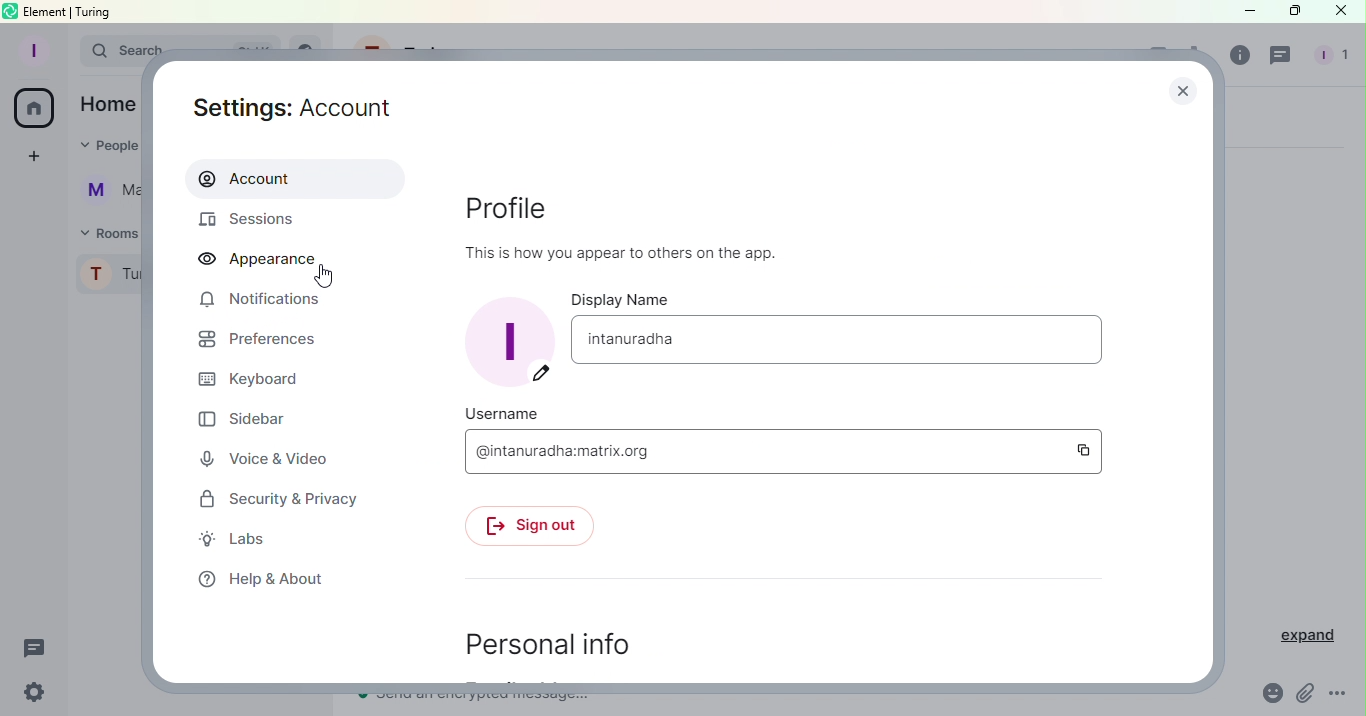  What do you see at coordinates (1294, 12) in the screenshot?
I see `Maximize` at bounding box center [1294, 12].